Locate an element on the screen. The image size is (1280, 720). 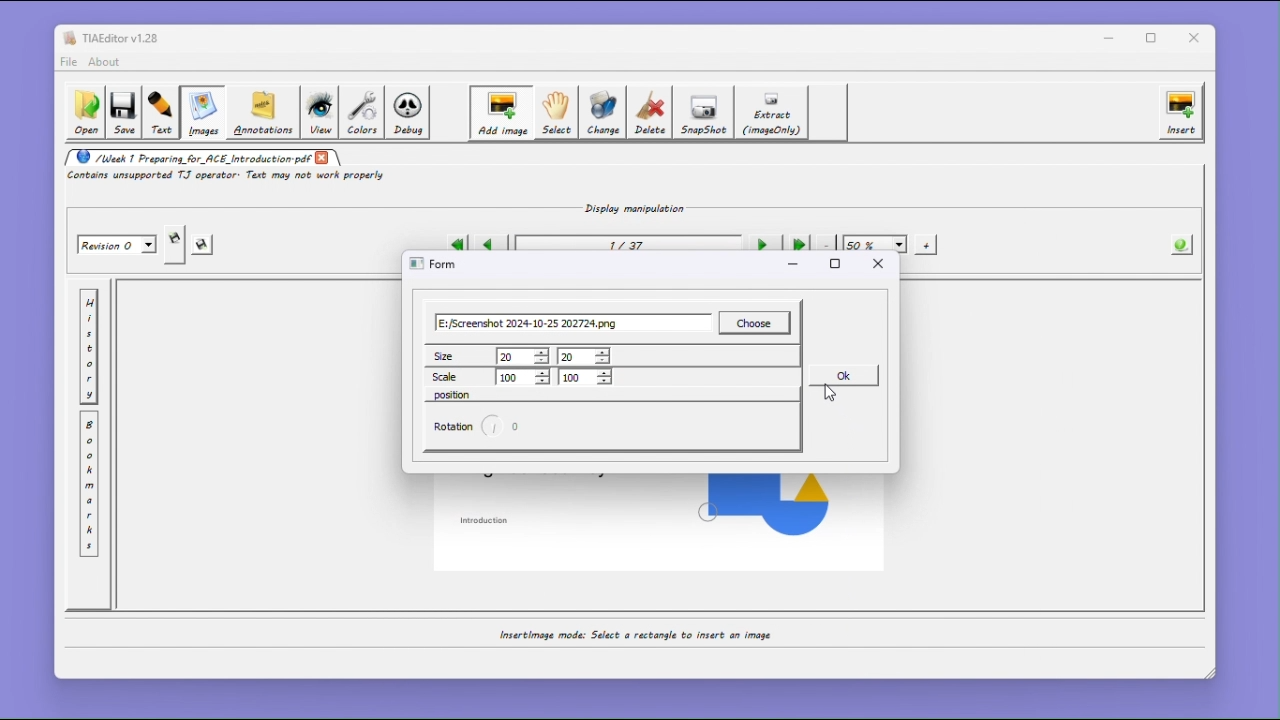
- is located at coordinates (827, 243).